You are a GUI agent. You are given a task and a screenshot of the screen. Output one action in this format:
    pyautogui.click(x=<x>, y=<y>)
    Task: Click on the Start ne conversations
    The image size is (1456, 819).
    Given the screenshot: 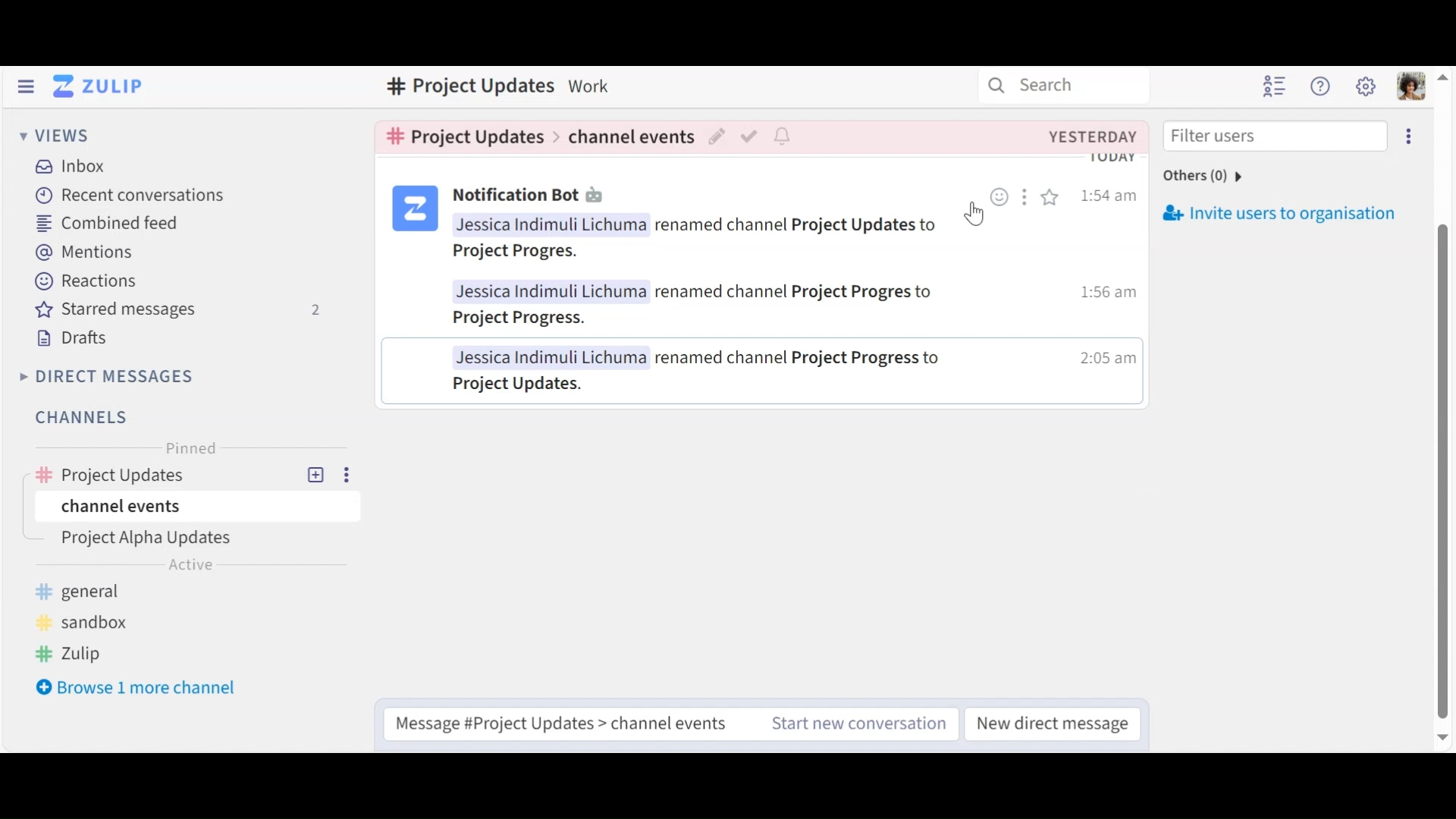 What is the action you would take?
    pyautogui.click(x=855, y=724)
    